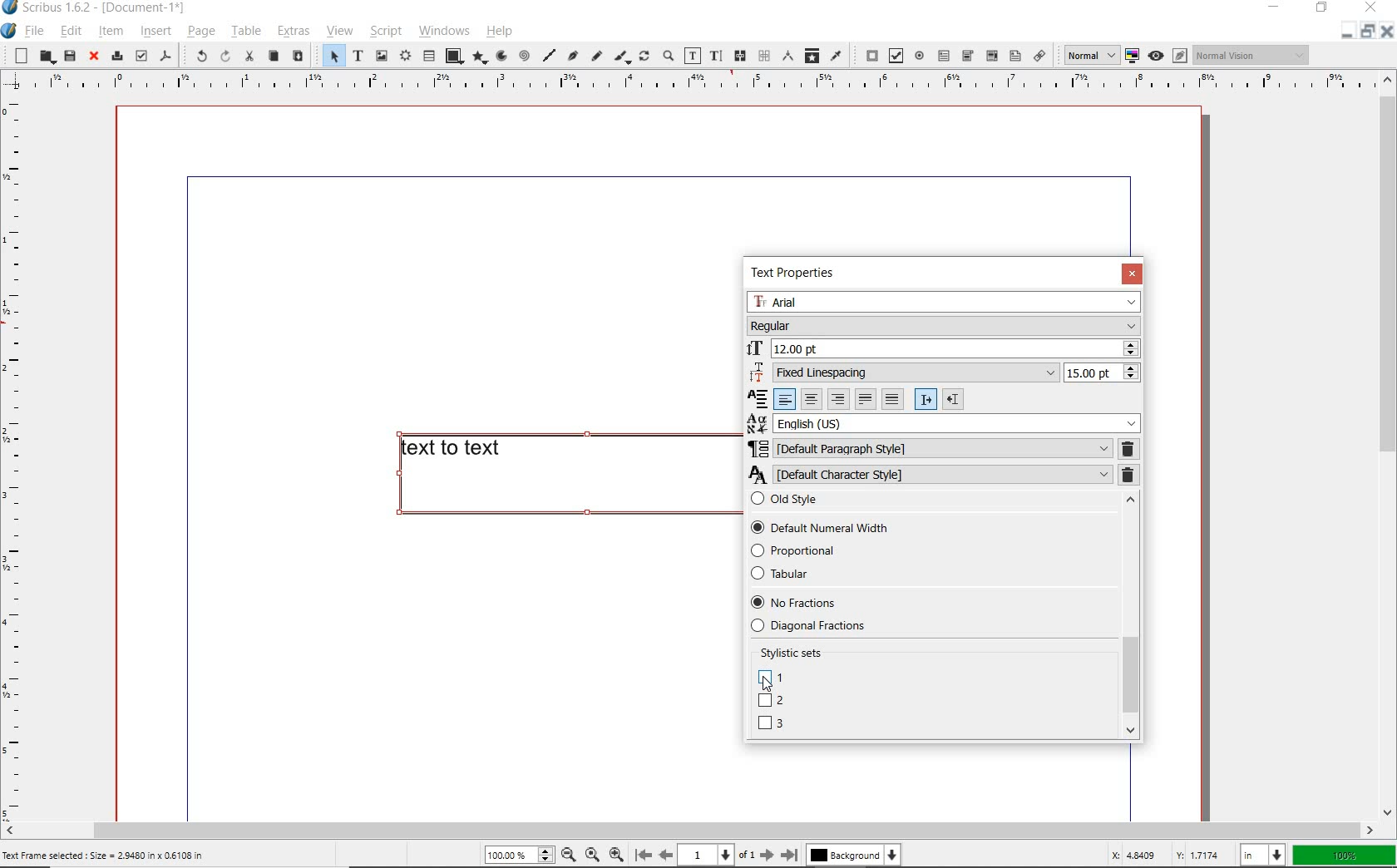 The width and height of the screenshot is (1397, 868). What do you see at coordinates (802, 574) in the screenshot?
I see `Tabular` at bounding box center [802, 574].